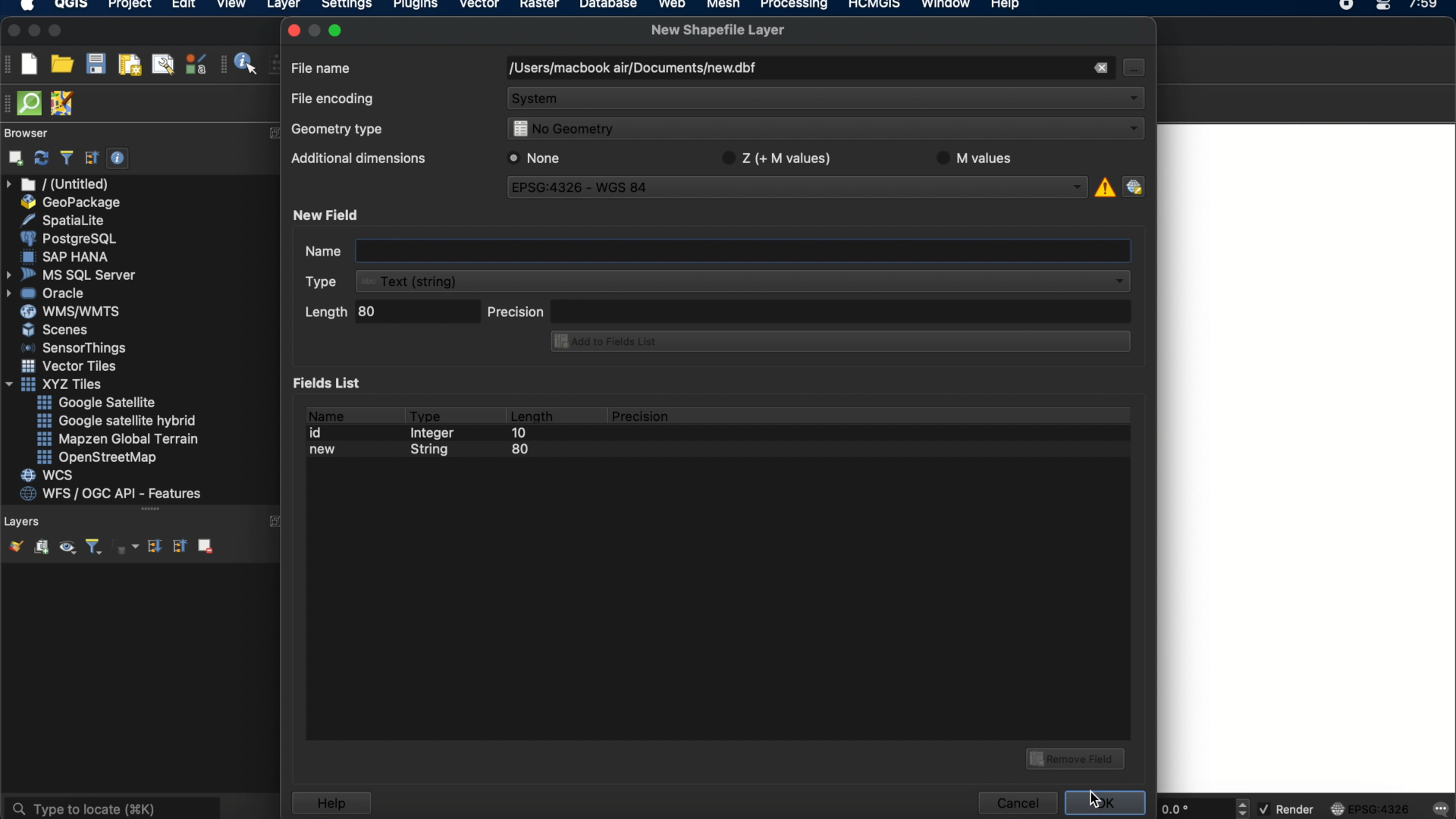 The width and height of the screenshot is (1456, 819). I want to click on toggle buttons, so click(1244, 808).